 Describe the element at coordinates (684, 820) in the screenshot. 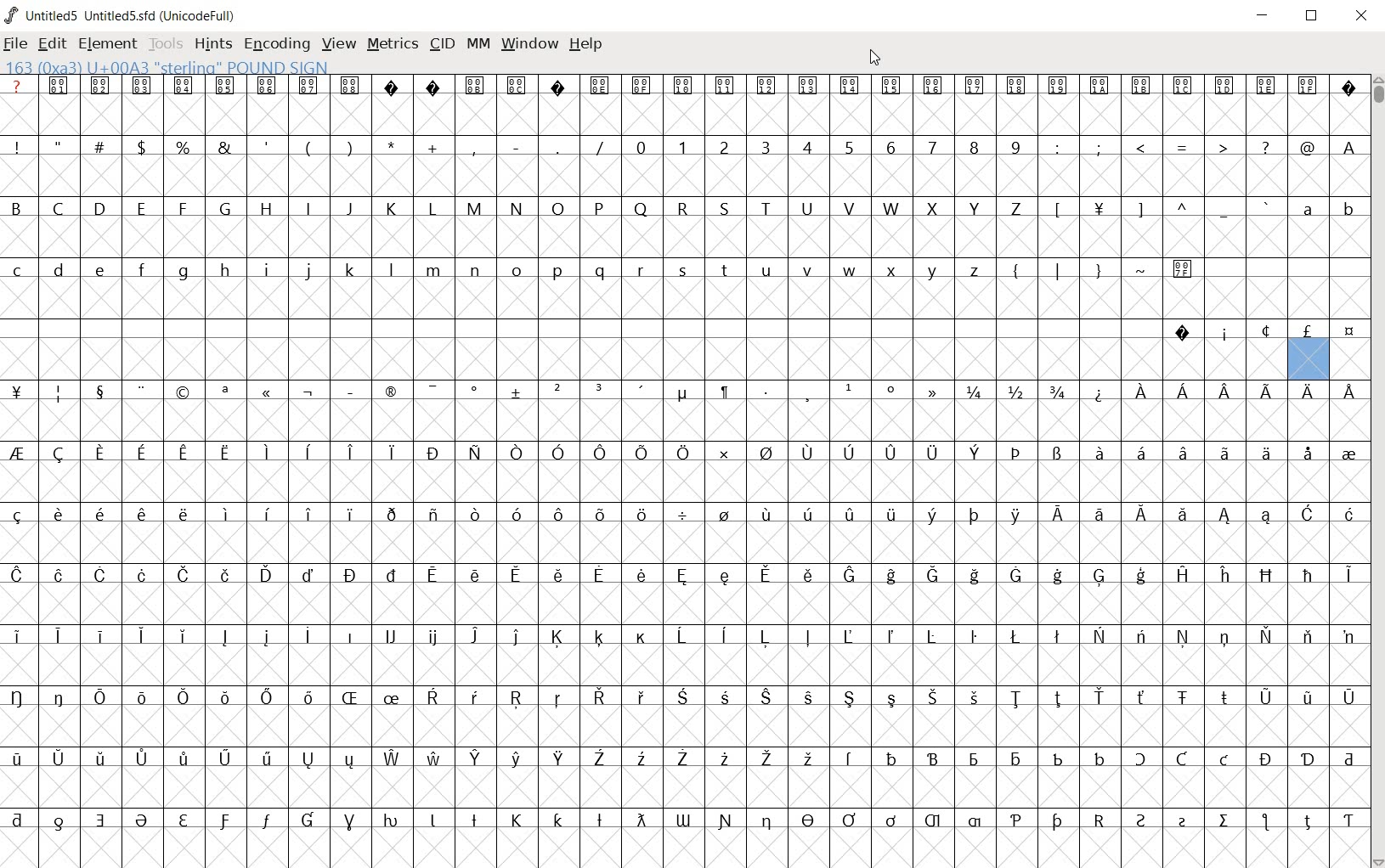

I see `Symbol` at that location.